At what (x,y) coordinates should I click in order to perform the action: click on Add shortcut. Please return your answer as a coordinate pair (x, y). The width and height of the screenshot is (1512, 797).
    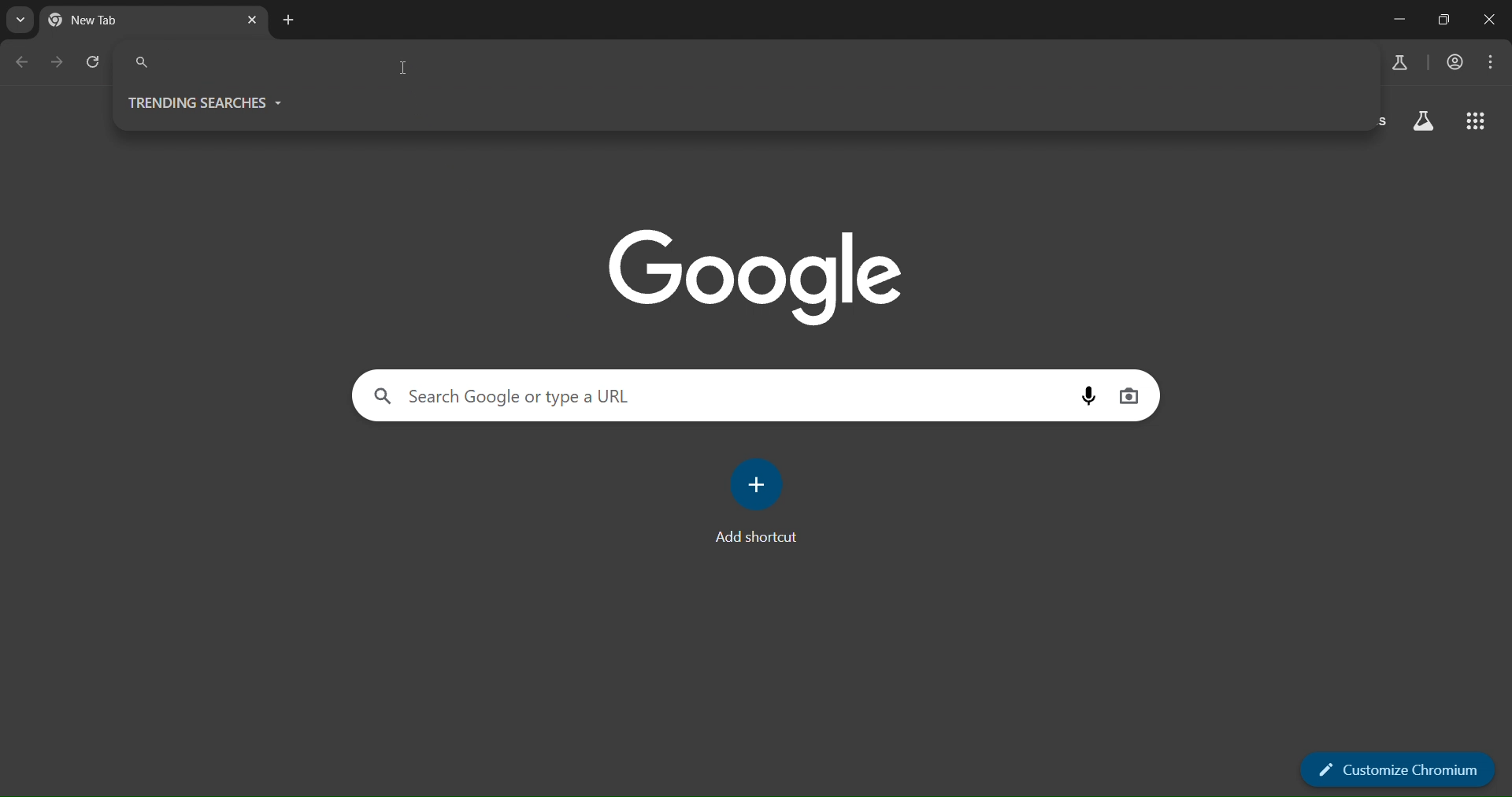
    Looking at the image, I should click on (750, 539).